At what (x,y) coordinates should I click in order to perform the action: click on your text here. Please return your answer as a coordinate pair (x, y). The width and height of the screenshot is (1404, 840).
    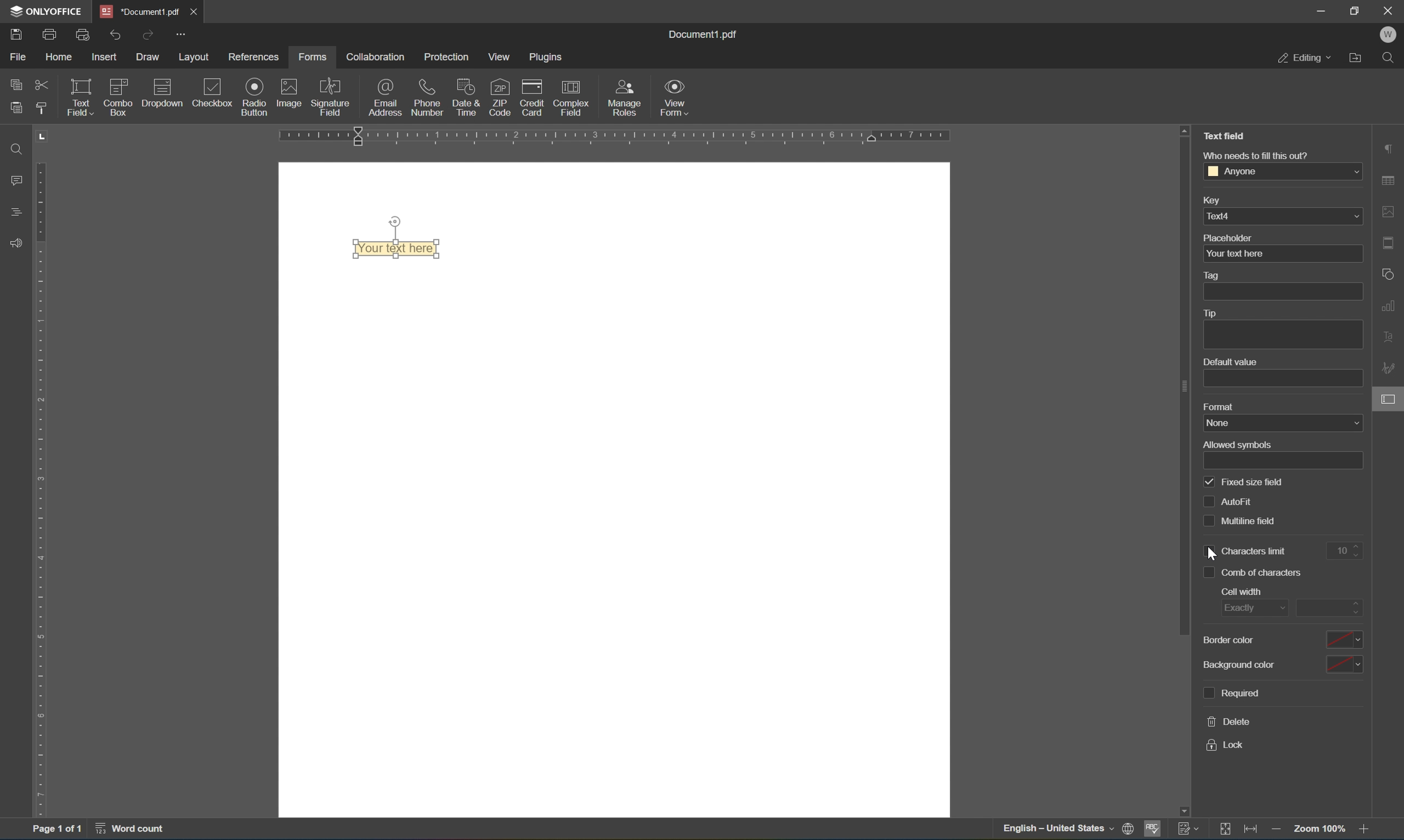
    Looking at the image, I should click on (1282, 254).